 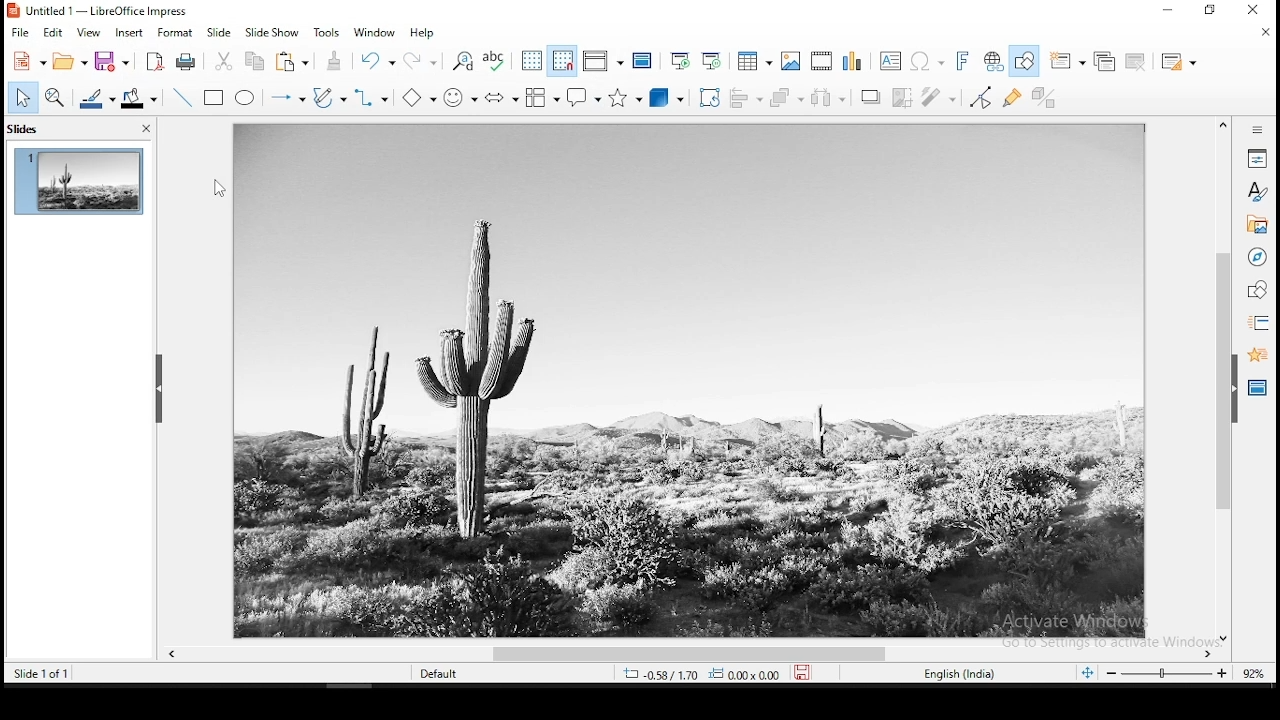 I want to click on minimize, so click(x=1166, y=11).